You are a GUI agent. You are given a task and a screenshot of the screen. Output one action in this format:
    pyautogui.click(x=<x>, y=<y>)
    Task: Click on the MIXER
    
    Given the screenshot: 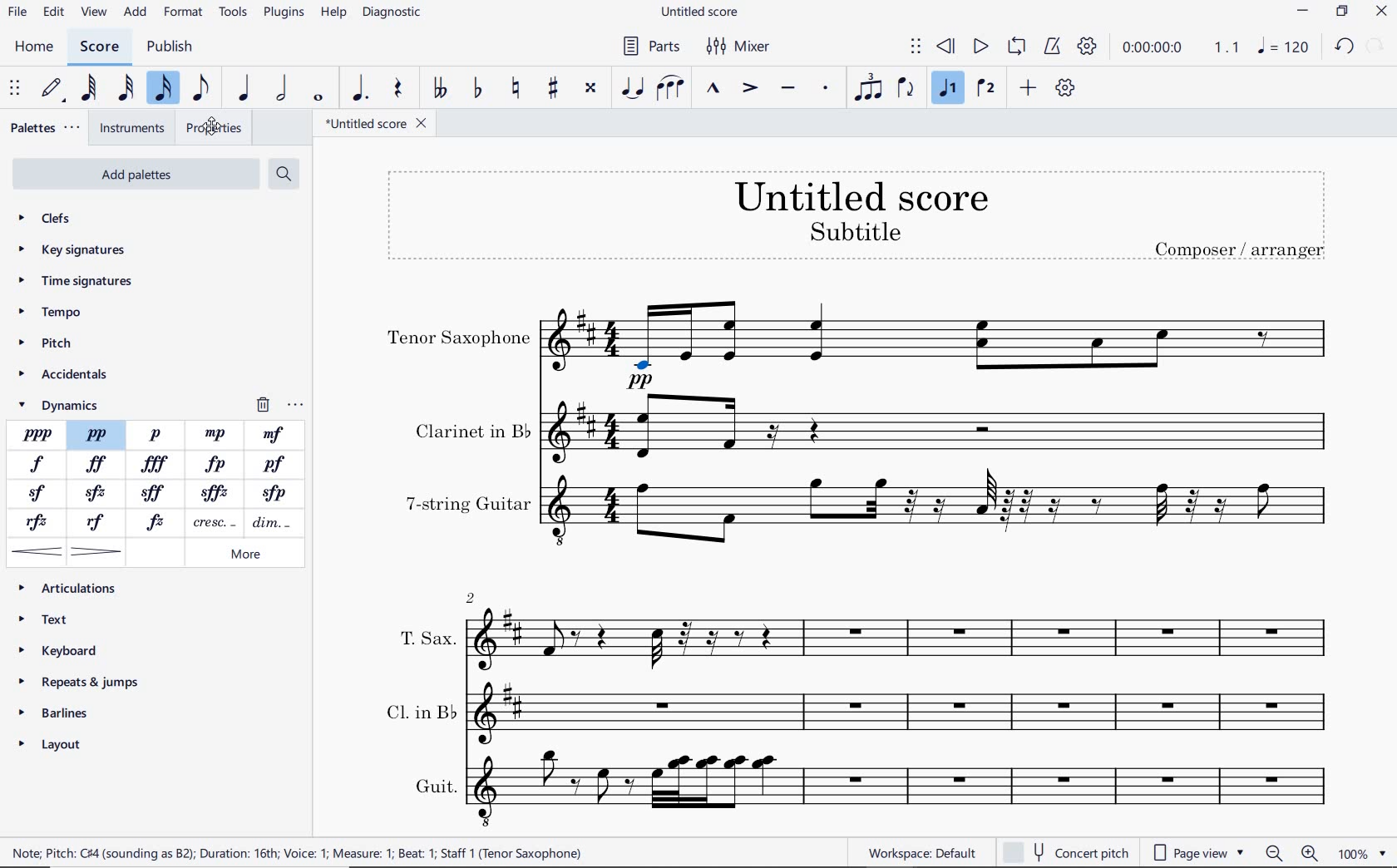 What is the action you would take?
    pyautogui.click(x=739, y=47)
    